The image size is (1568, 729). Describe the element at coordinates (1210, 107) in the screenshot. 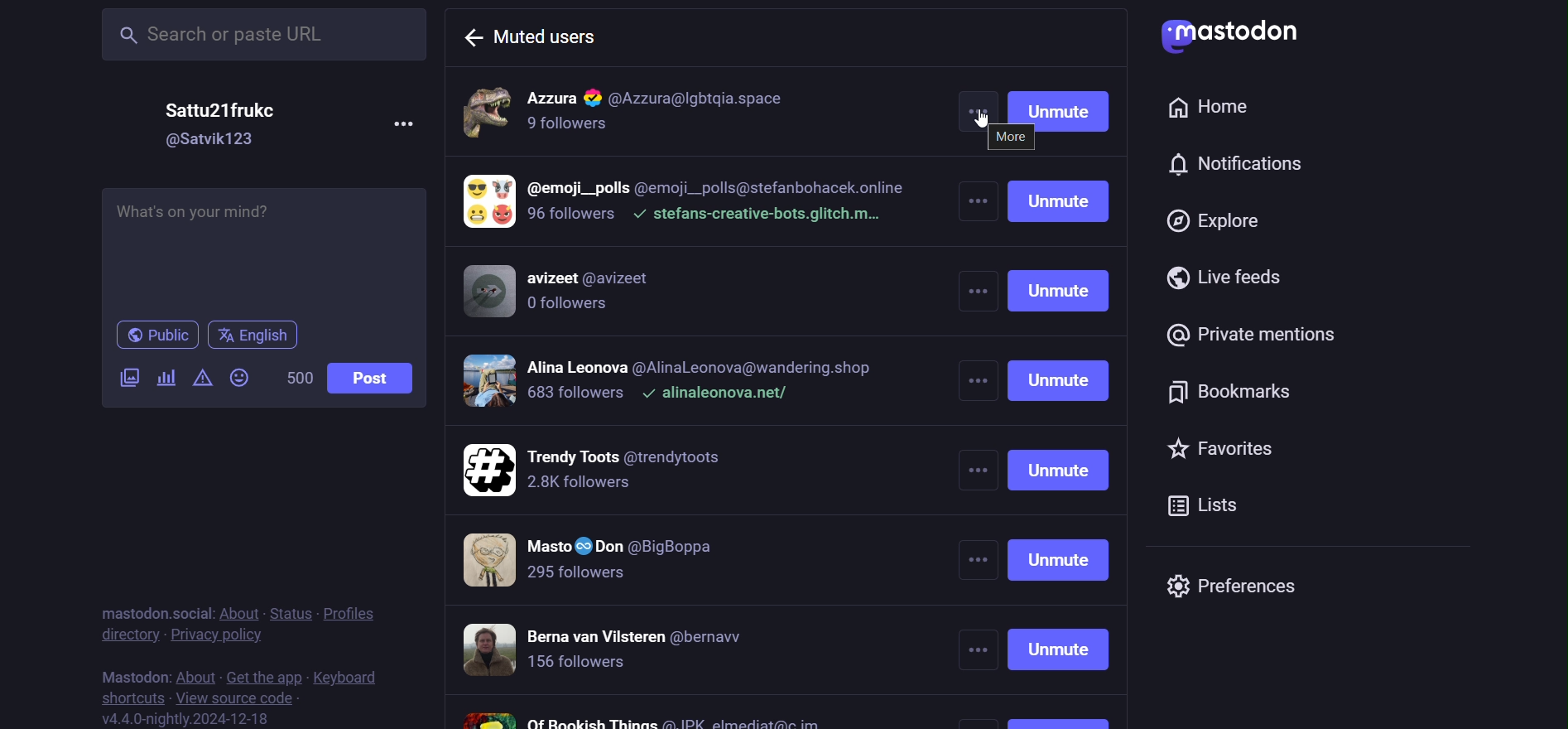

I see `home` at that location.